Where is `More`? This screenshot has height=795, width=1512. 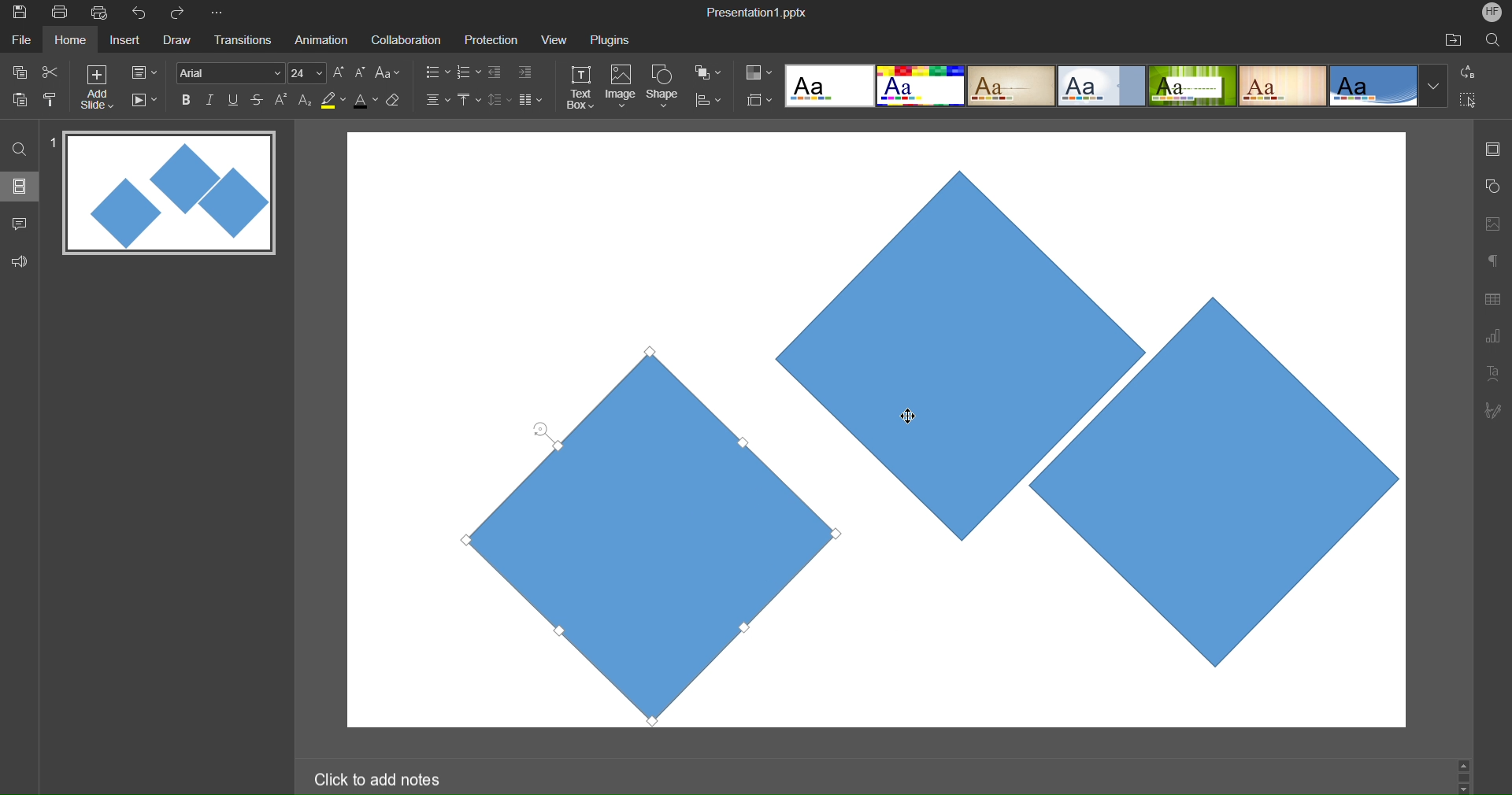 More is located at coordinates (220, 13).